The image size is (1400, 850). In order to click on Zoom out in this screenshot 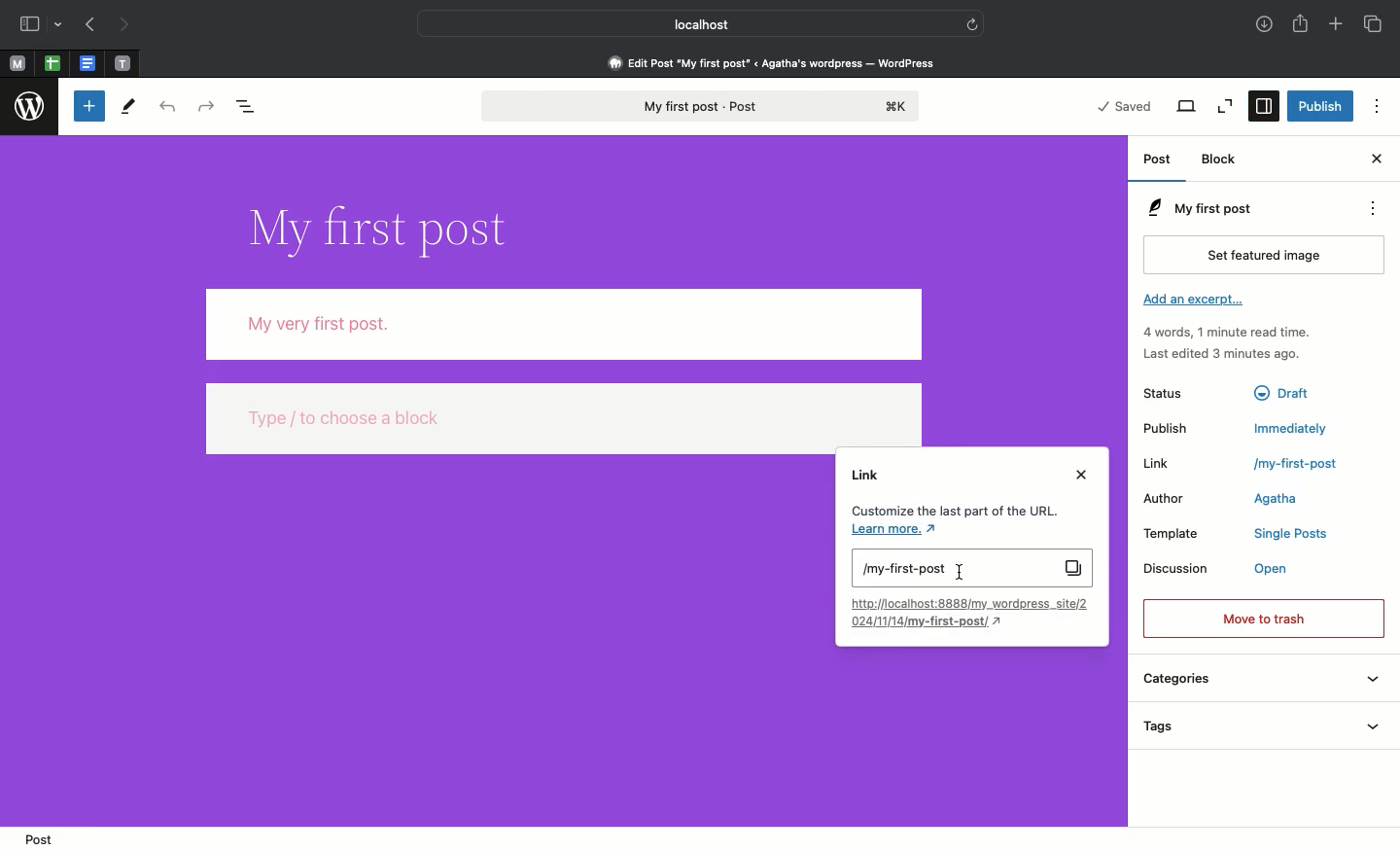, I will do `click(1227, 108)`.